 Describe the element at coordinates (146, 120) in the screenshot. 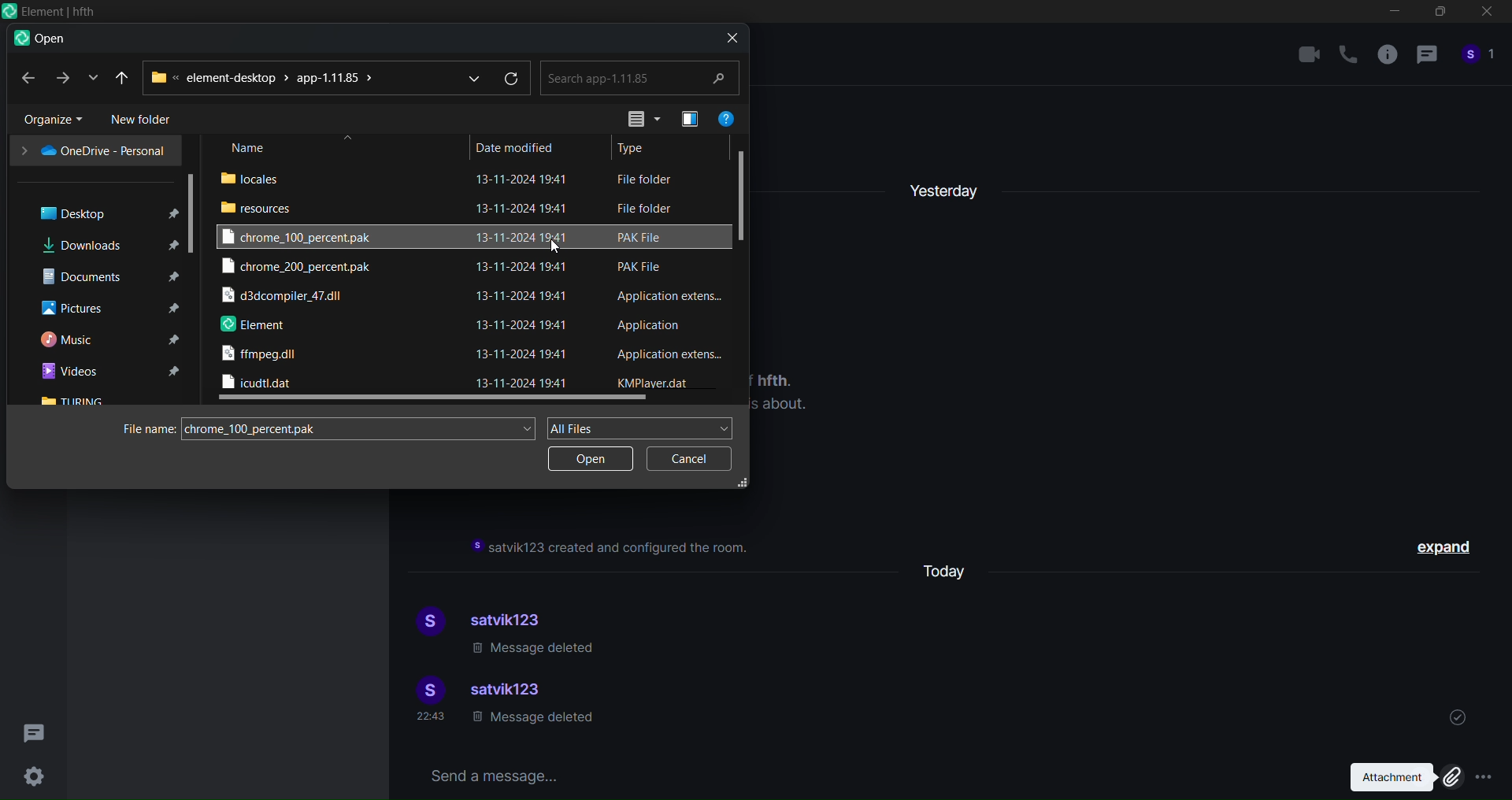

I see `new folder` at that location.